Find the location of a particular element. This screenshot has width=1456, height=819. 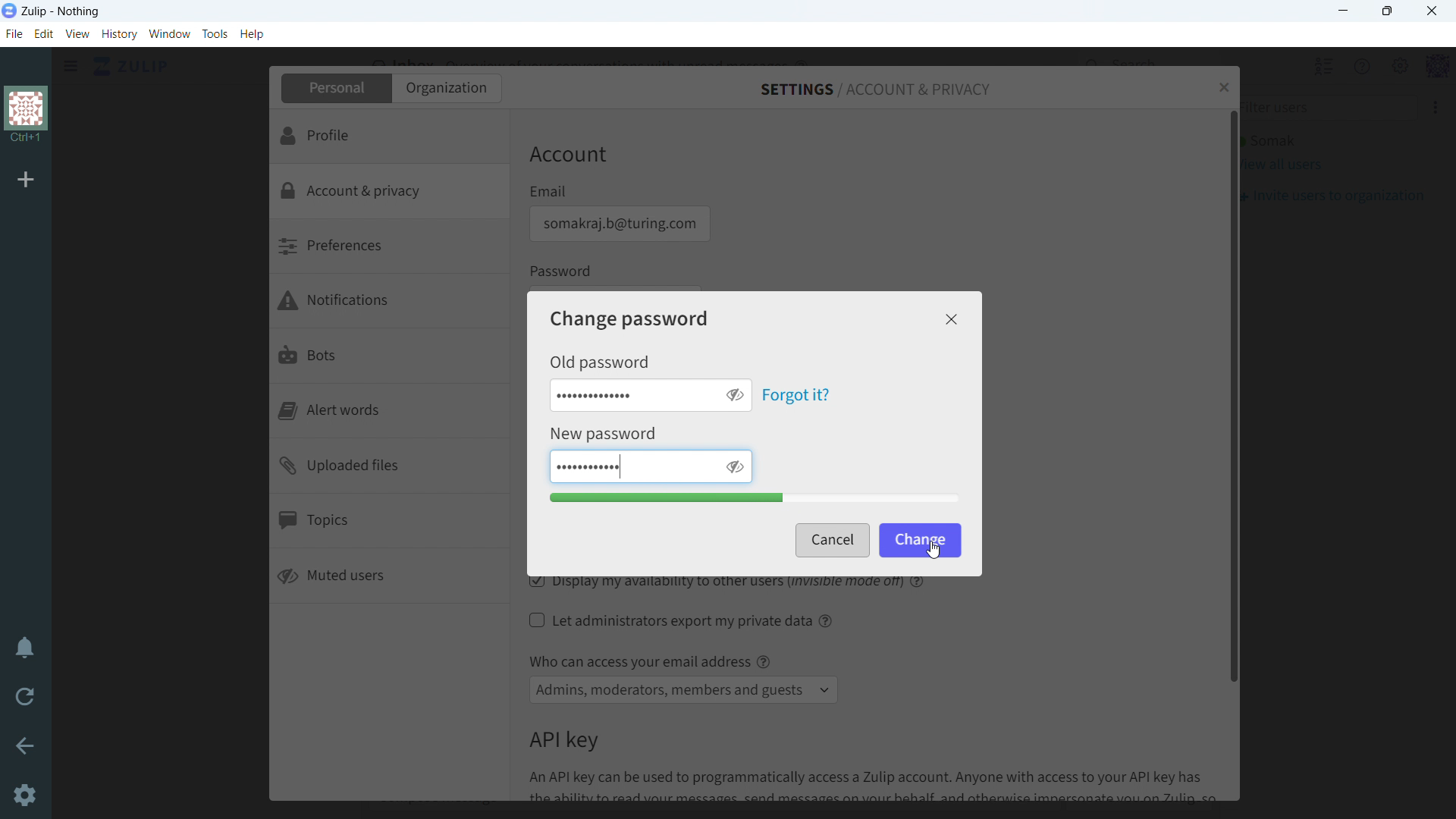

Password is located at coordinates (563, 271).